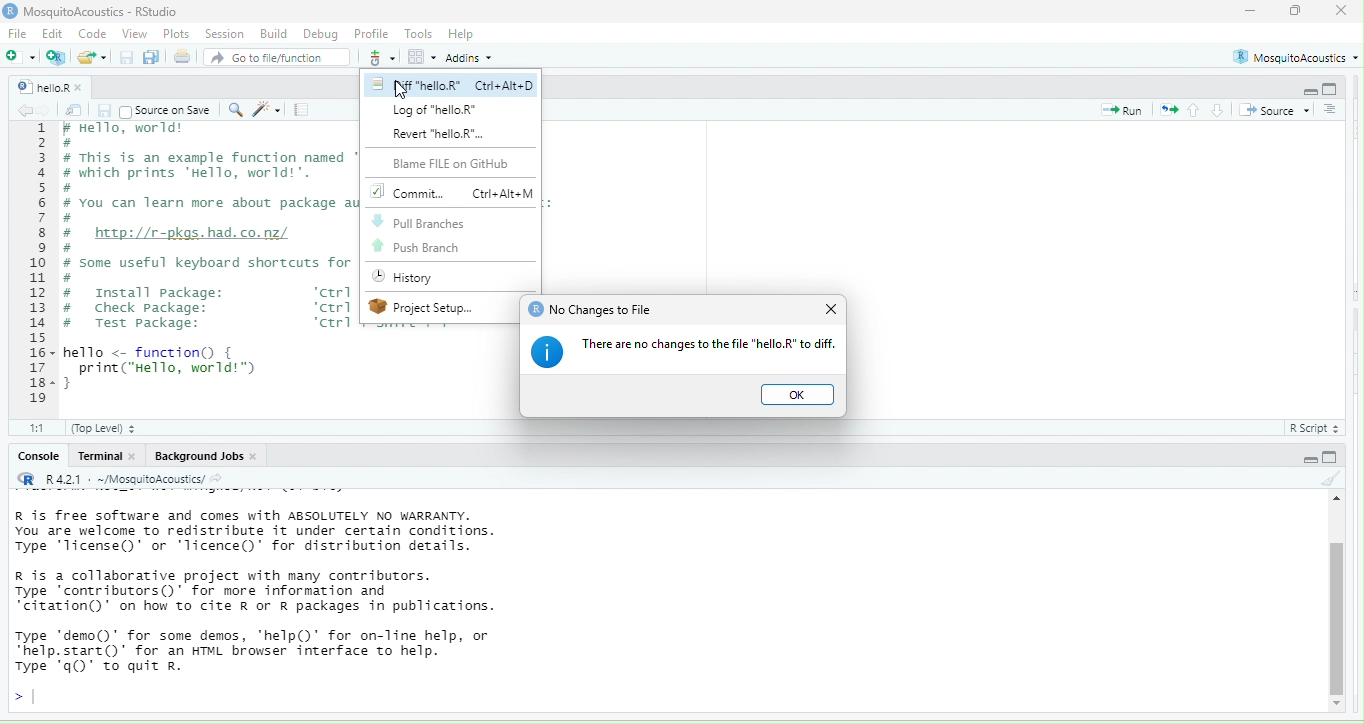 This screenshot has height=724, width=1364. What do you see at coordinates (174, 35) in the screenshot?
I see `Plots` at bounding box center [174, 35].